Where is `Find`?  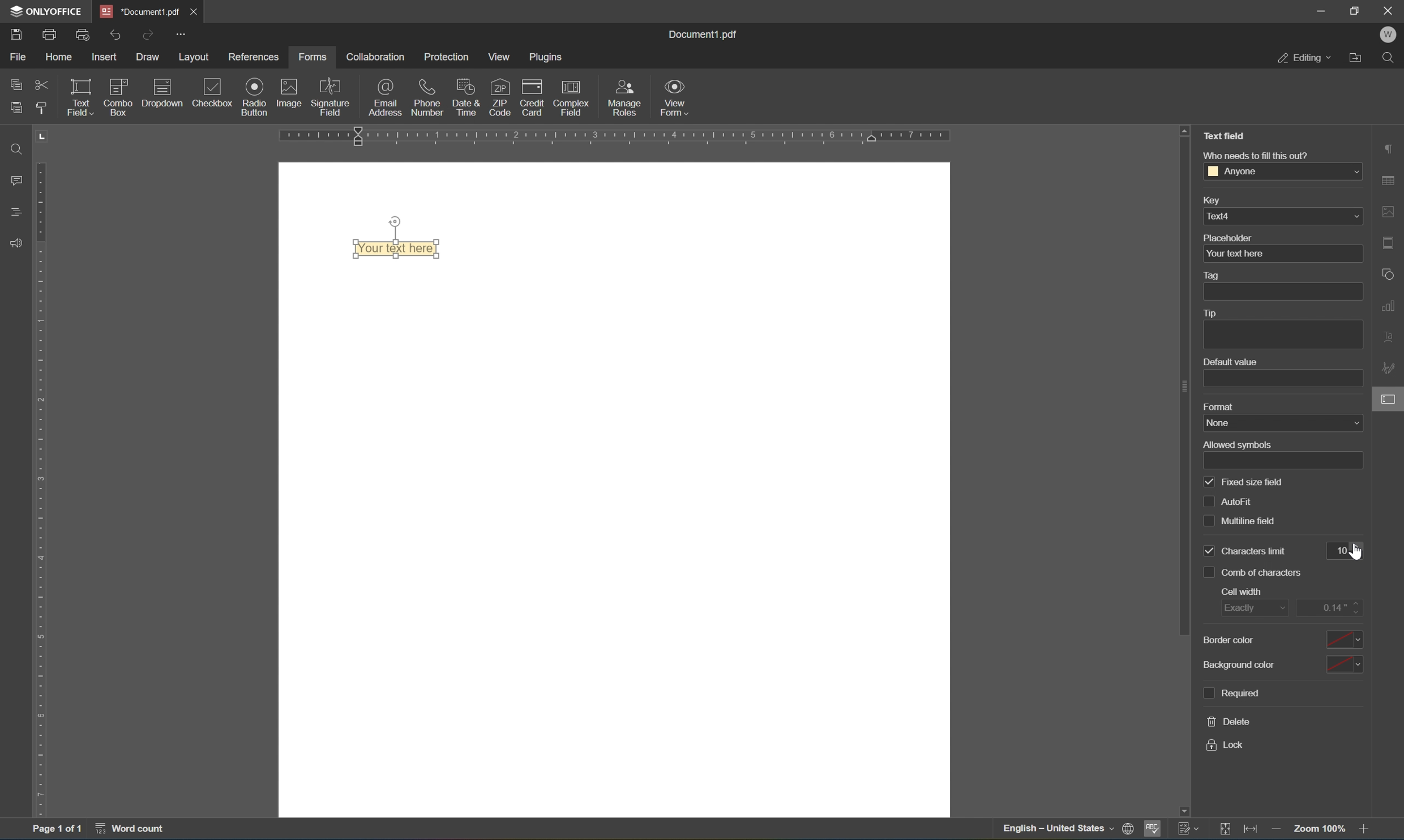
Find is located at coordinates (1390, 60).